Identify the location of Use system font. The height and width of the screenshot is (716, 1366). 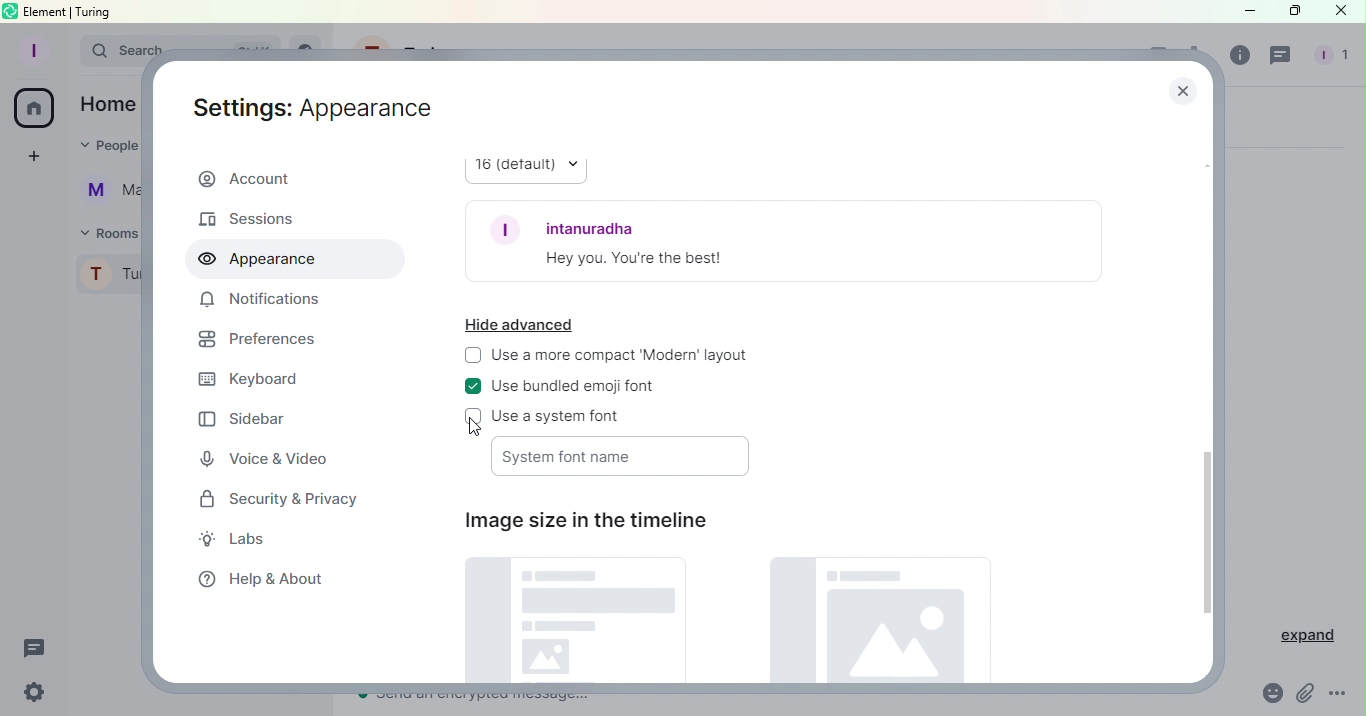
(565, 415).